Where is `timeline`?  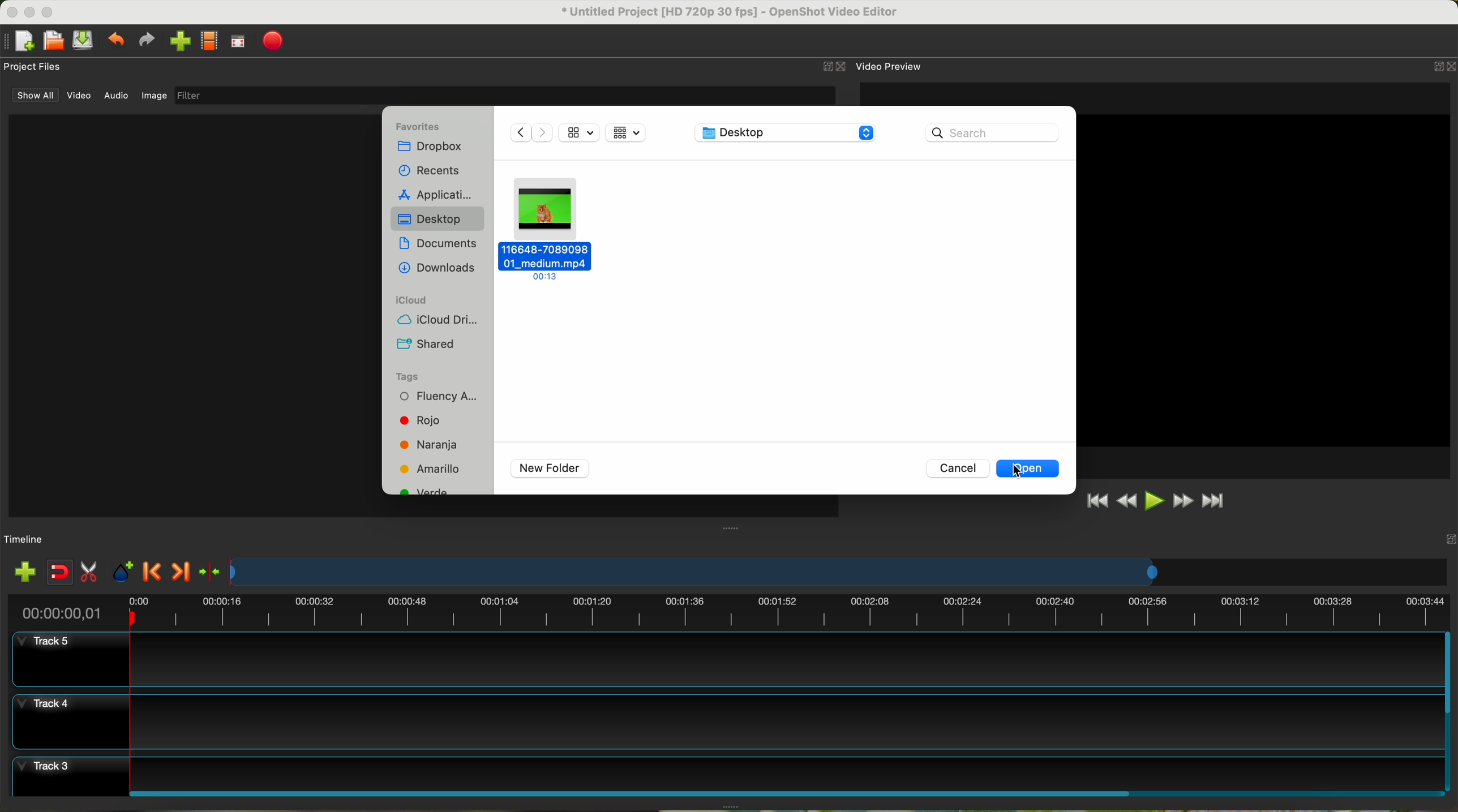 timeline is located at coordinates (24, 540).